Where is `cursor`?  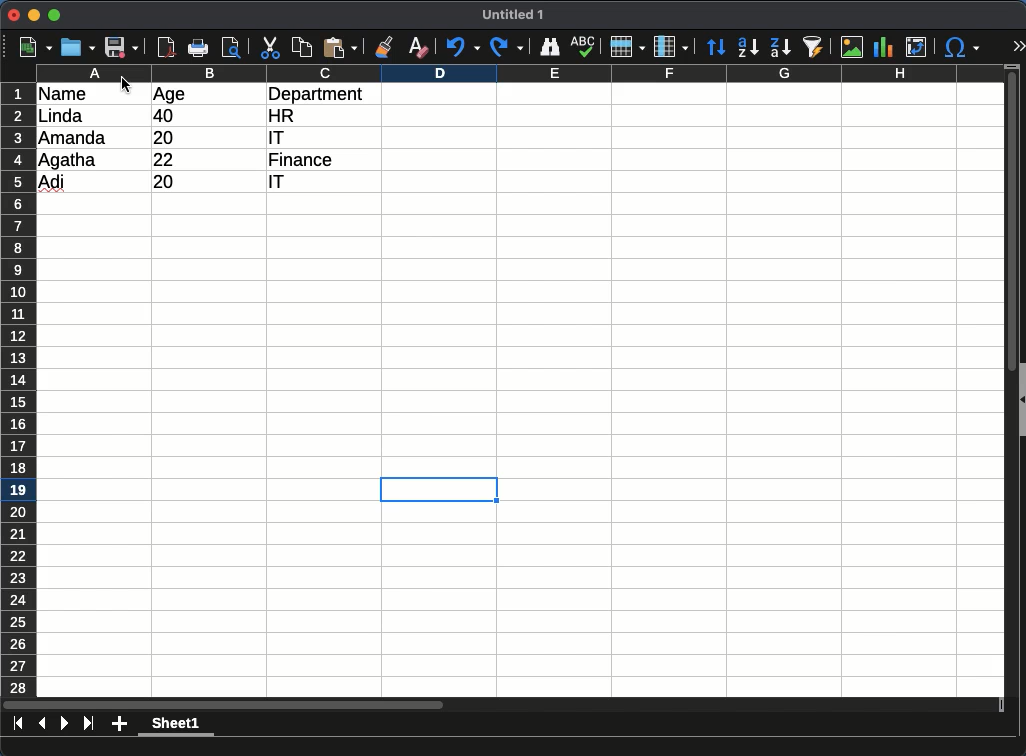
cursor is located at coordinates (126, 86).